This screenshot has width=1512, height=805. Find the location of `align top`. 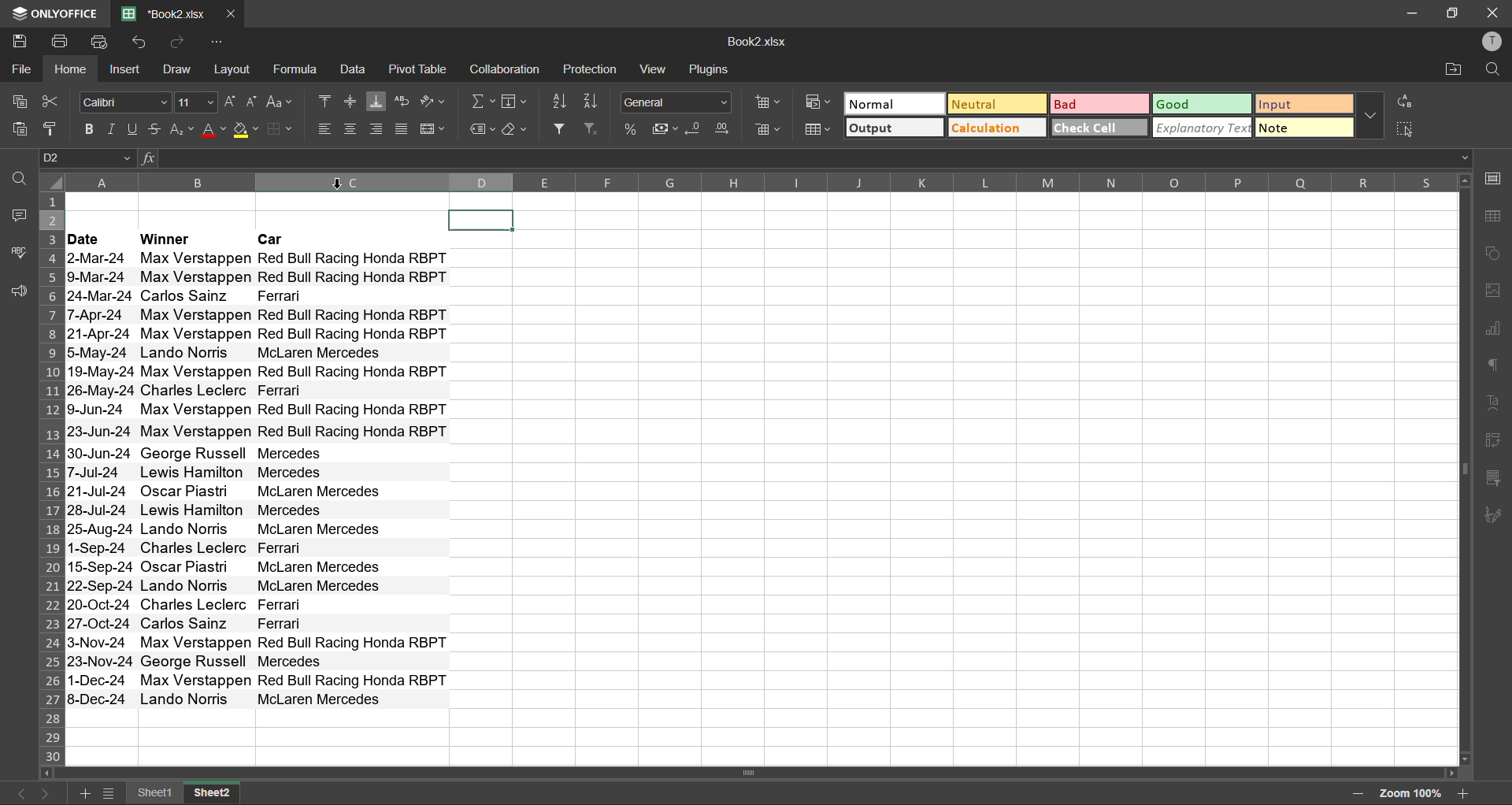

align top is located at coordinates (325, 99).